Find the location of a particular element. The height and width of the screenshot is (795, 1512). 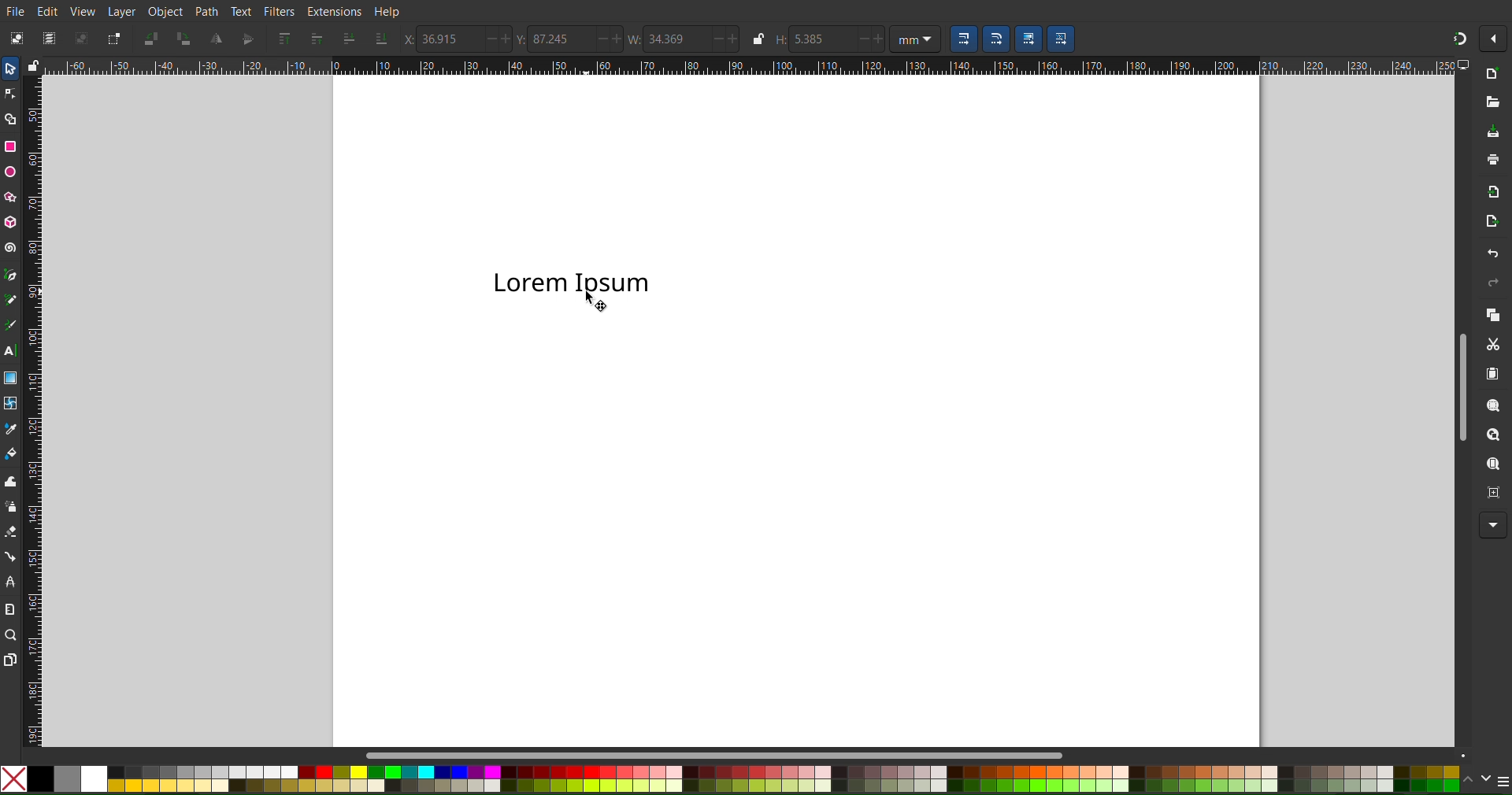

Tweak Tool is located at coordinates (13, 481).